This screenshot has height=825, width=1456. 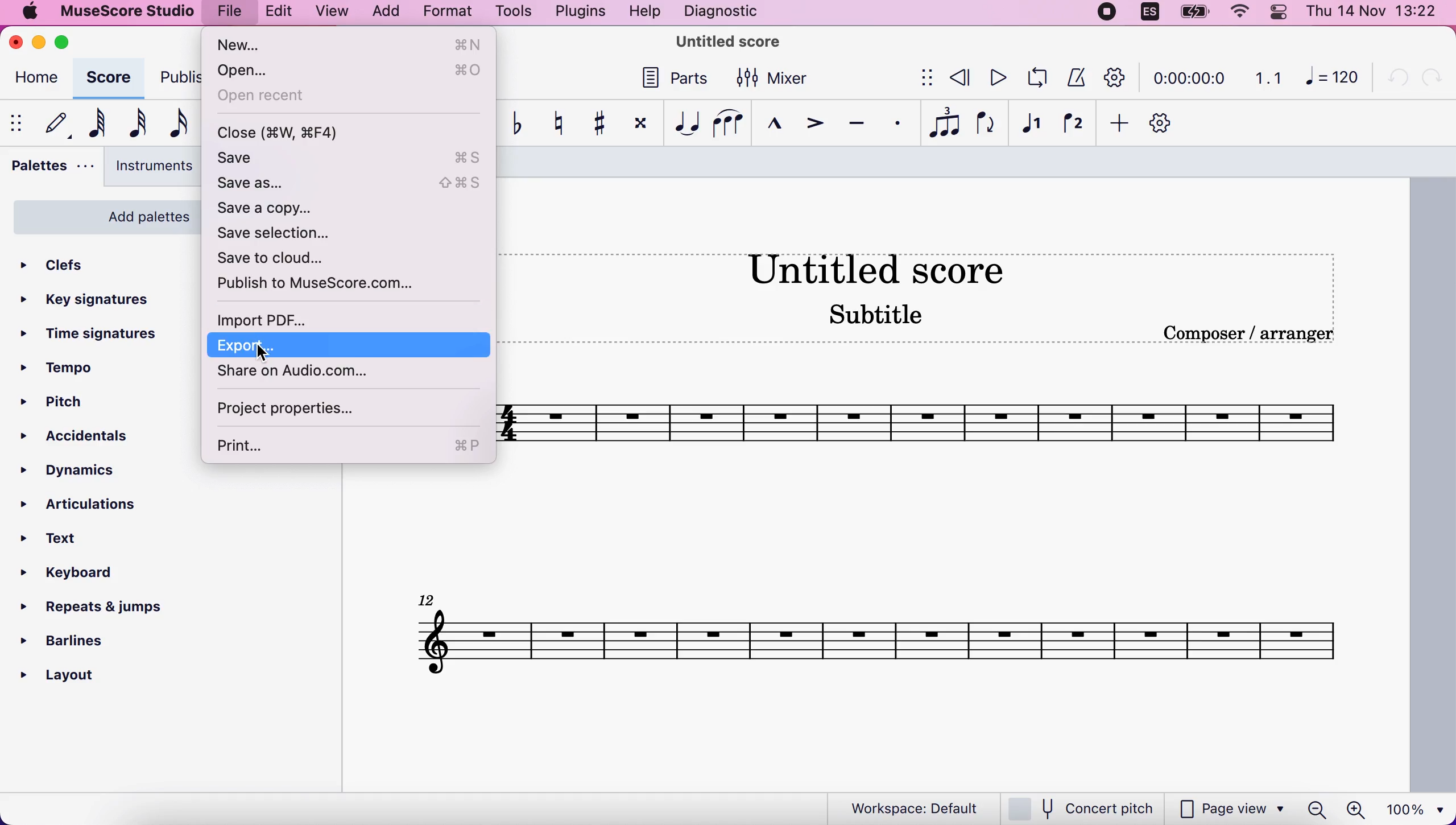 What do you see at coordinates (352, 44) in the screenshot?
I see `new` at bounding box center [352, 44].